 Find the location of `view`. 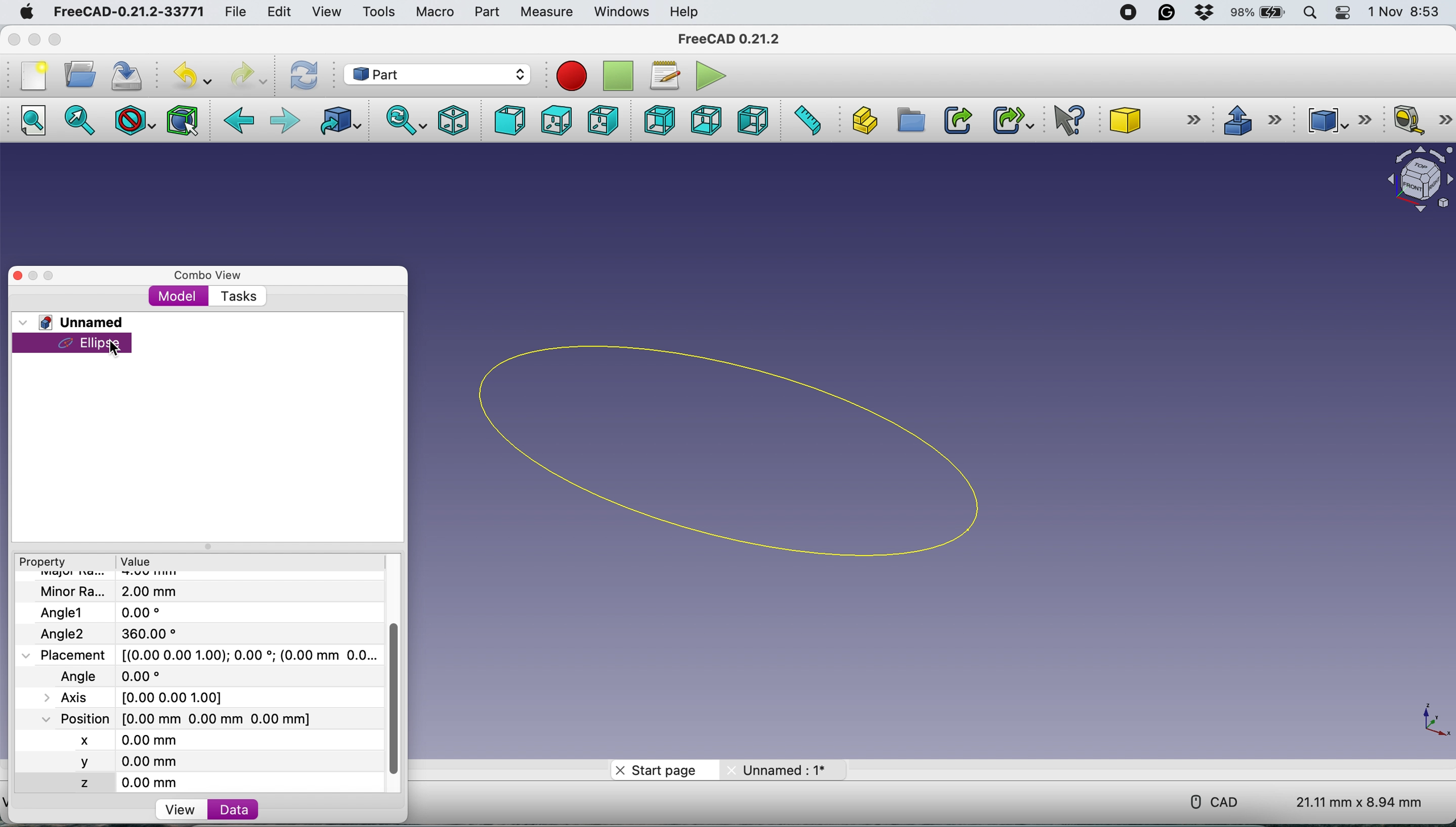

view is located at coordinates (325, 11).